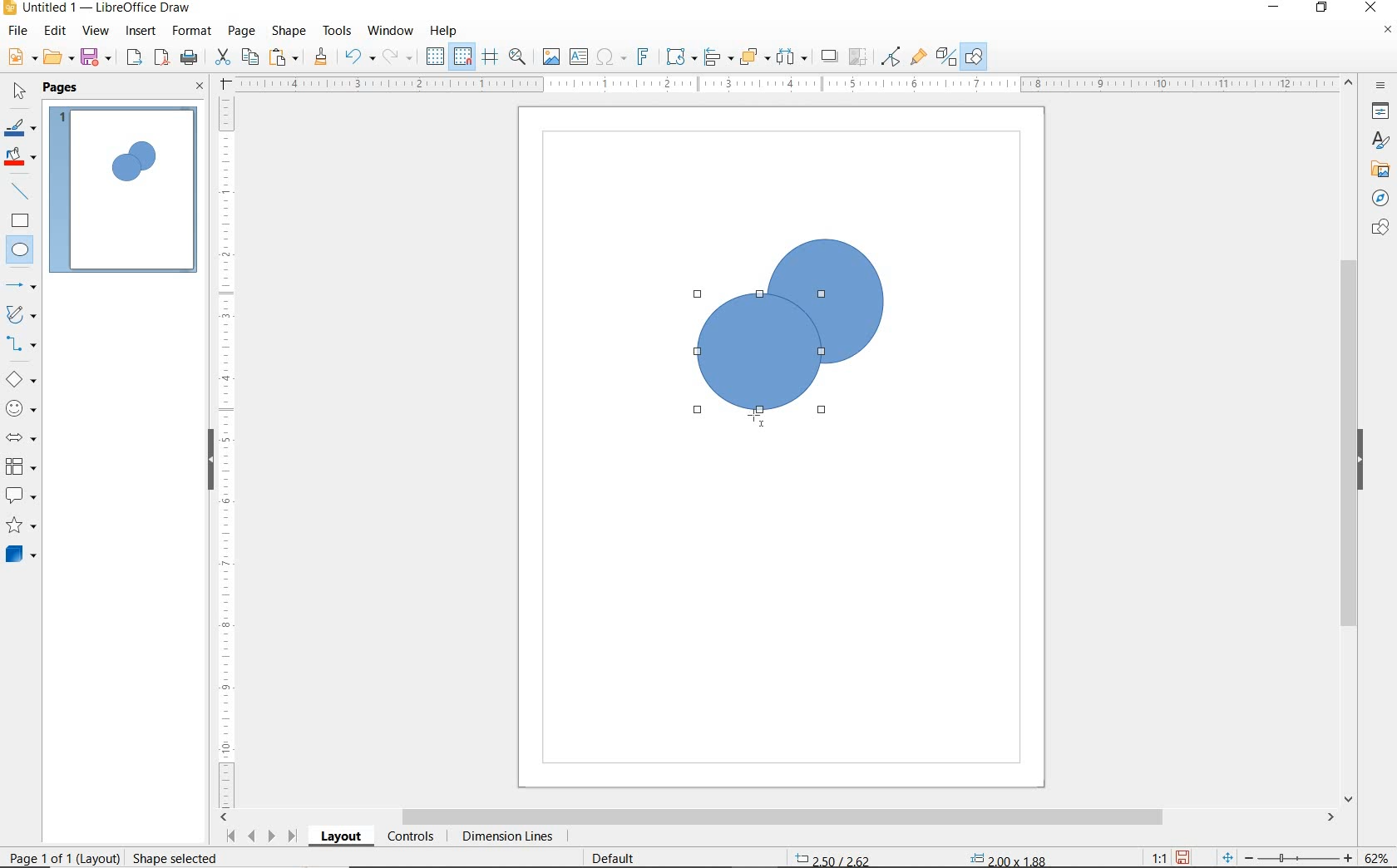  I want to click on ALIGN OBJECTS, so click(717, 59).